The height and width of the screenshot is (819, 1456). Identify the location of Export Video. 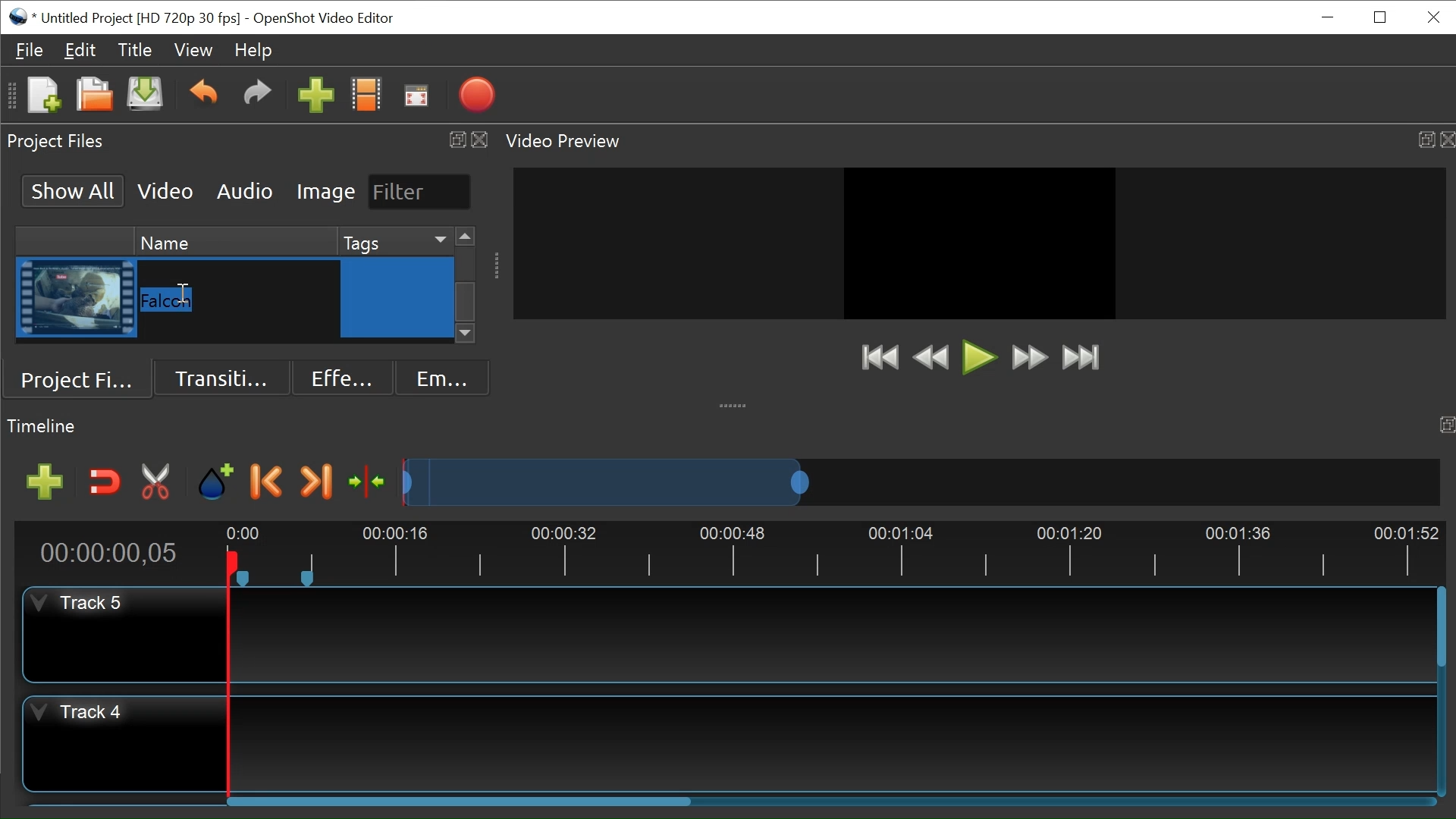
(476, 96).